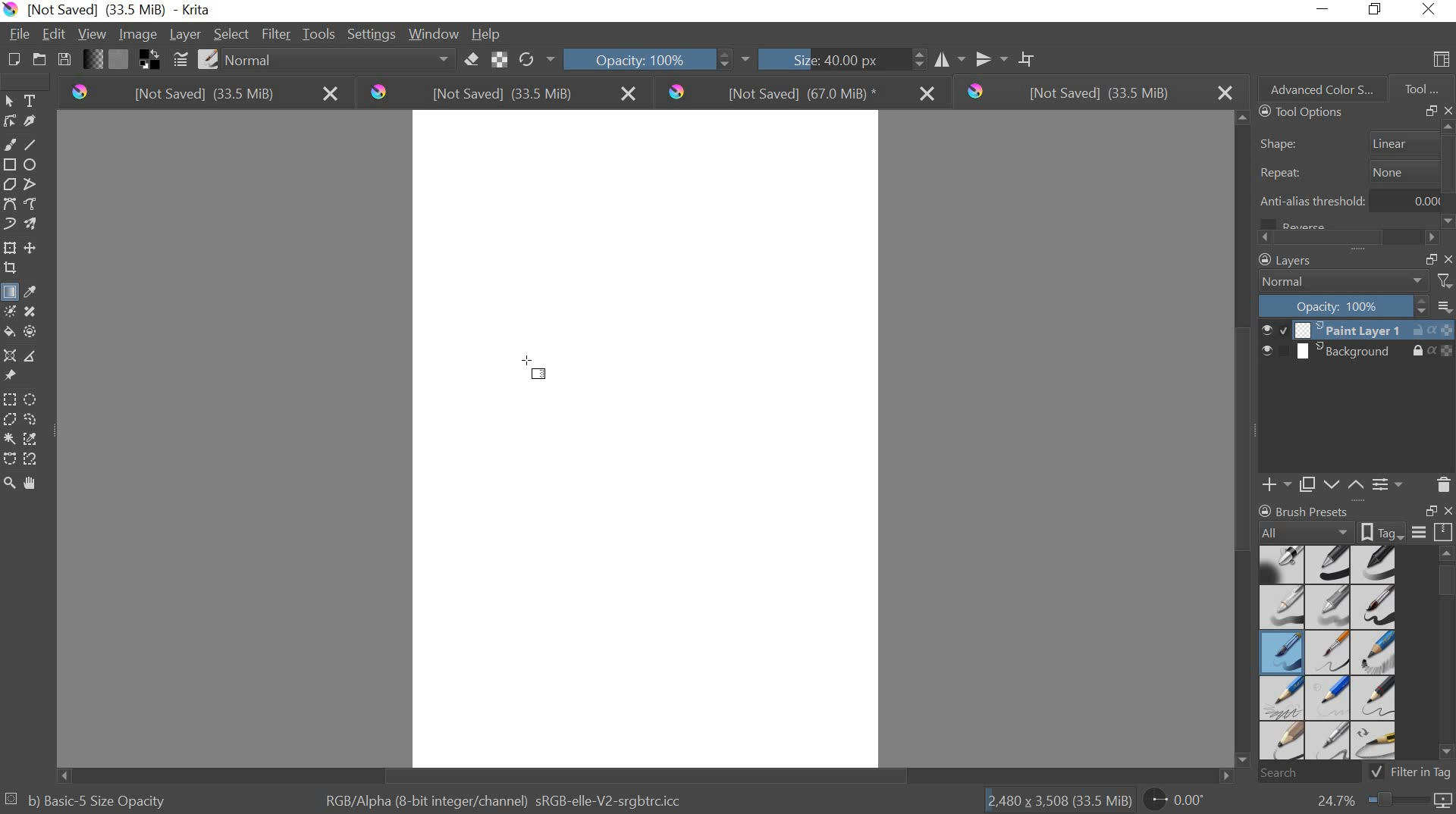 This screenshot has height=814, width=1456. I want to click on measurements, so click(35, 355).